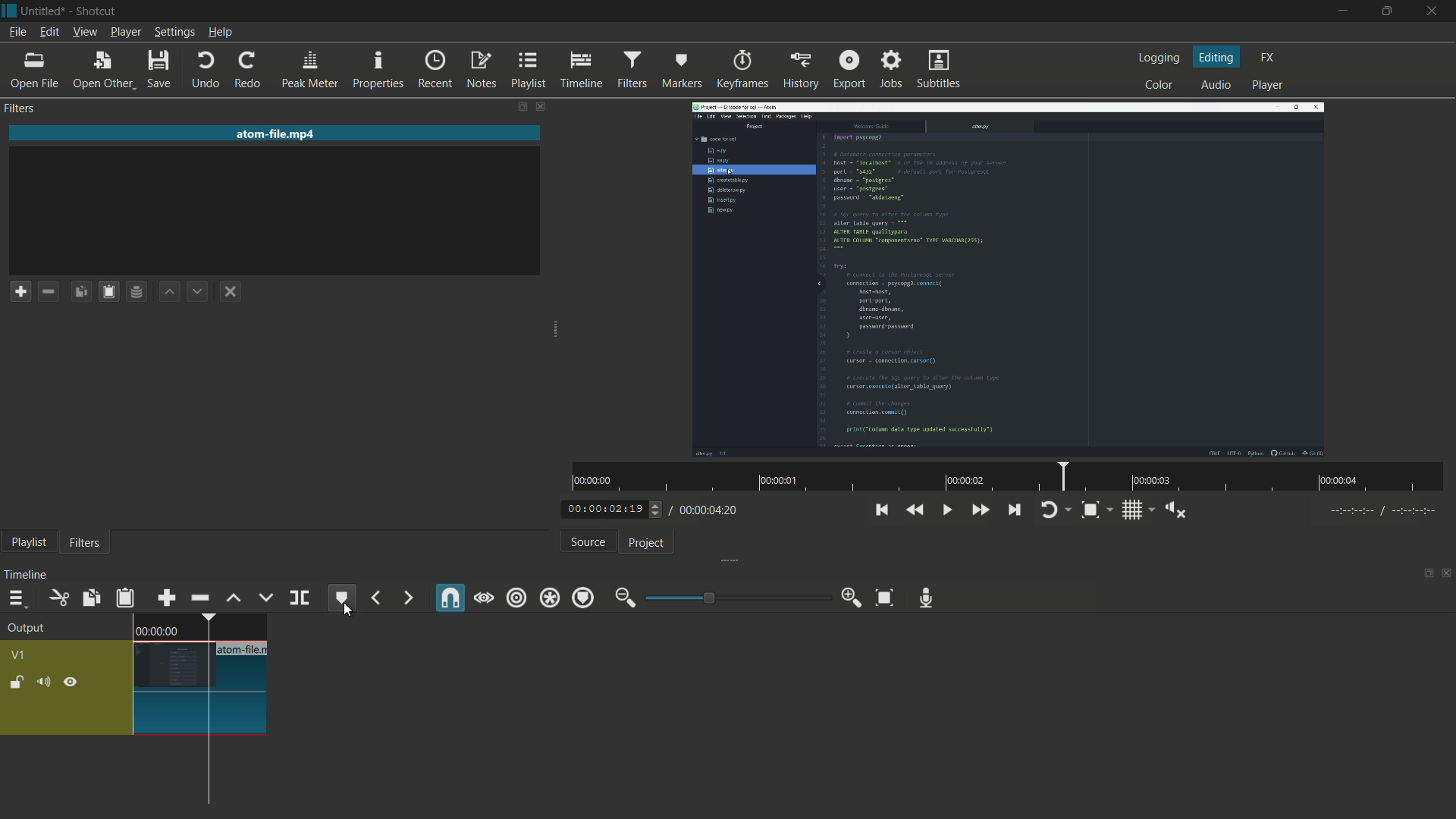 This screenshot has height=819, width=1456. Describe the element at coordinates (265, 598) in the screenshot. I see `overwrite` at that location.